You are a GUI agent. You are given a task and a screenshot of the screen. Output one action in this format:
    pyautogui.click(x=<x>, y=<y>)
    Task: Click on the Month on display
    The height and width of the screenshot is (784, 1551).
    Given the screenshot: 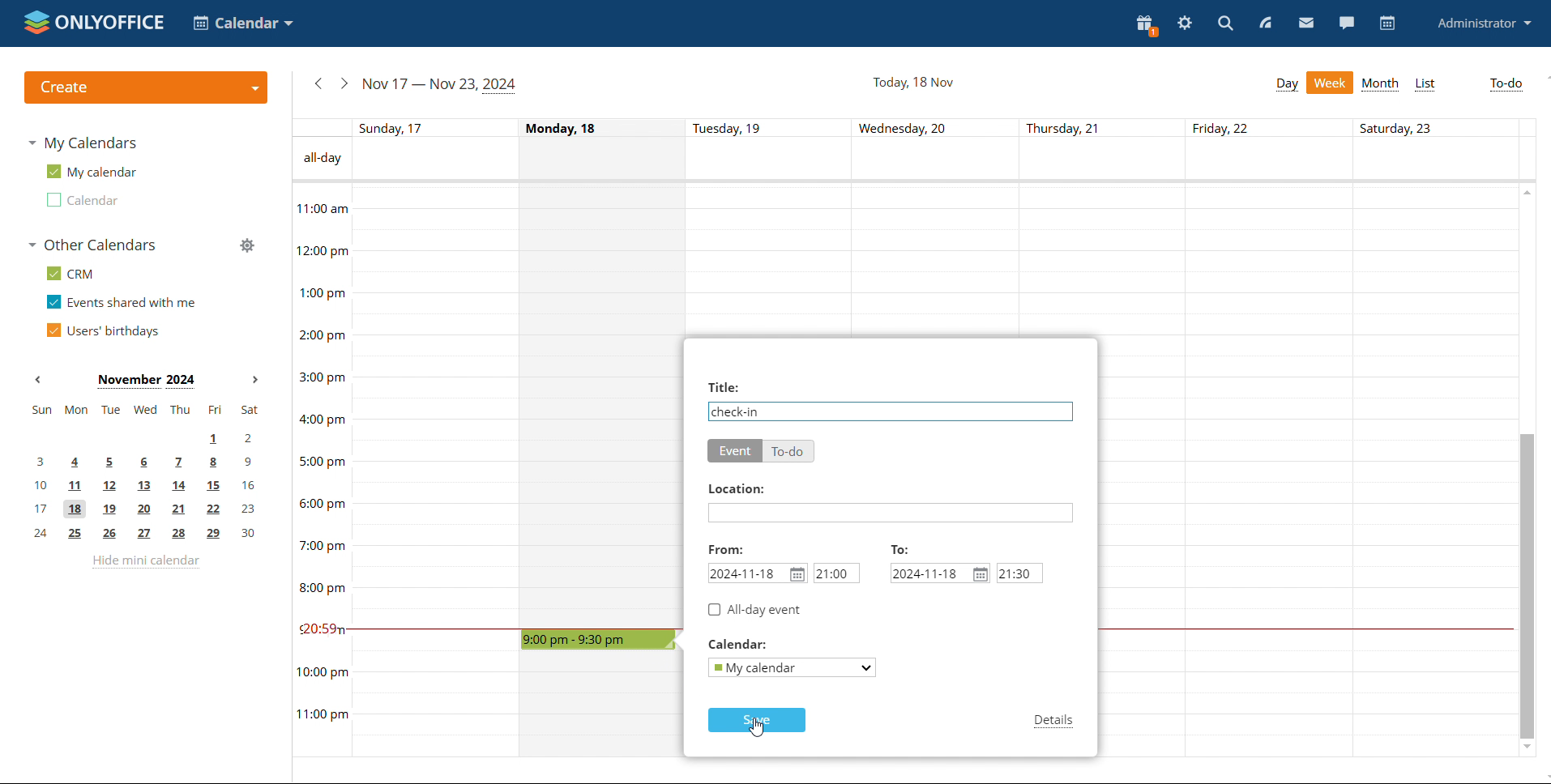 What is the action you would take?
    pyautogui.click(x=146, y=381)
    